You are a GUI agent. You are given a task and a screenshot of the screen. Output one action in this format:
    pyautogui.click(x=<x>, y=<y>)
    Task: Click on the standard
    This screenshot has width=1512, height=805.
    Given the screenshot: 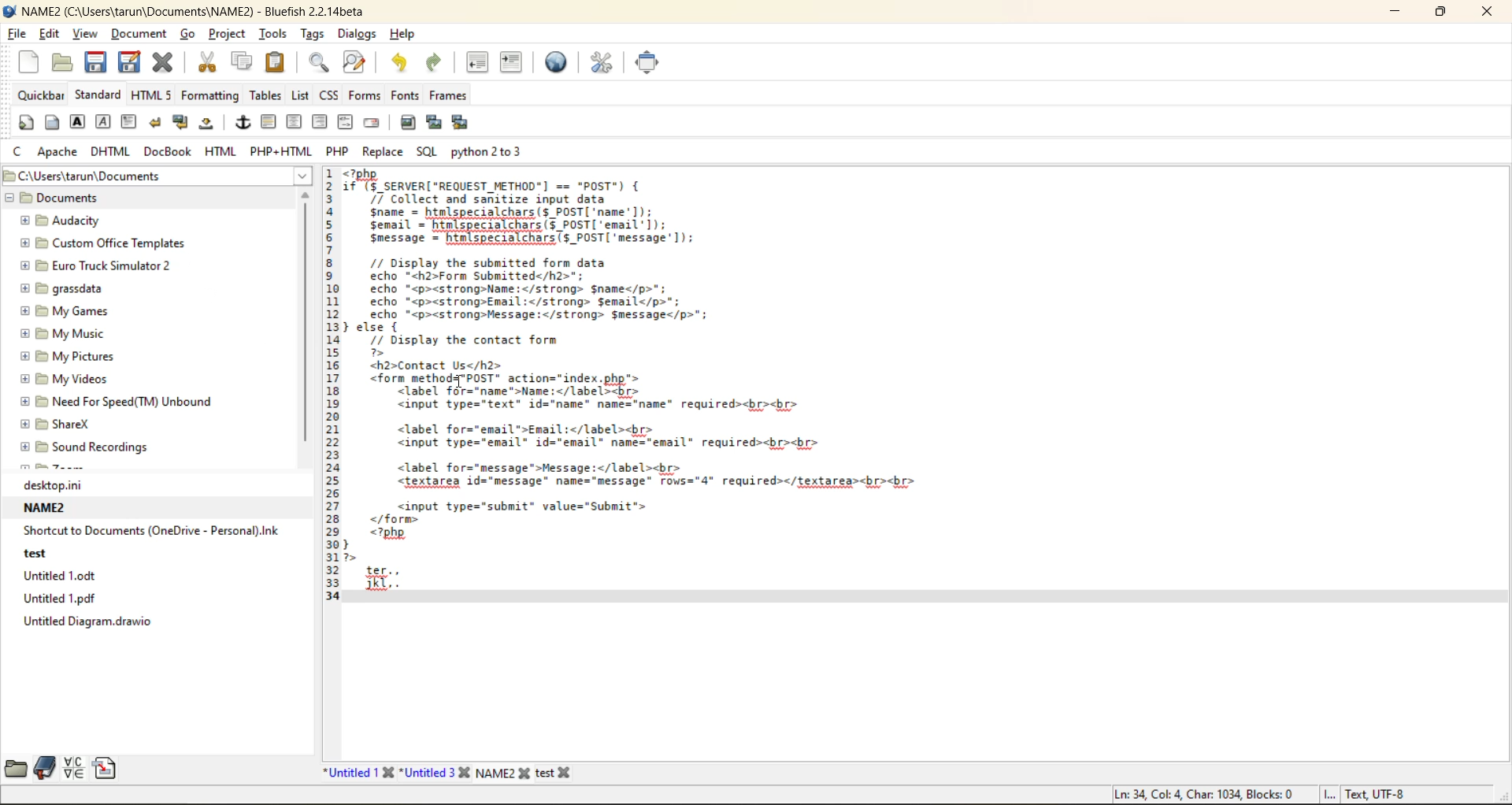 What is the action you would take?
    pyautogui.click(x=99, y=94)
    